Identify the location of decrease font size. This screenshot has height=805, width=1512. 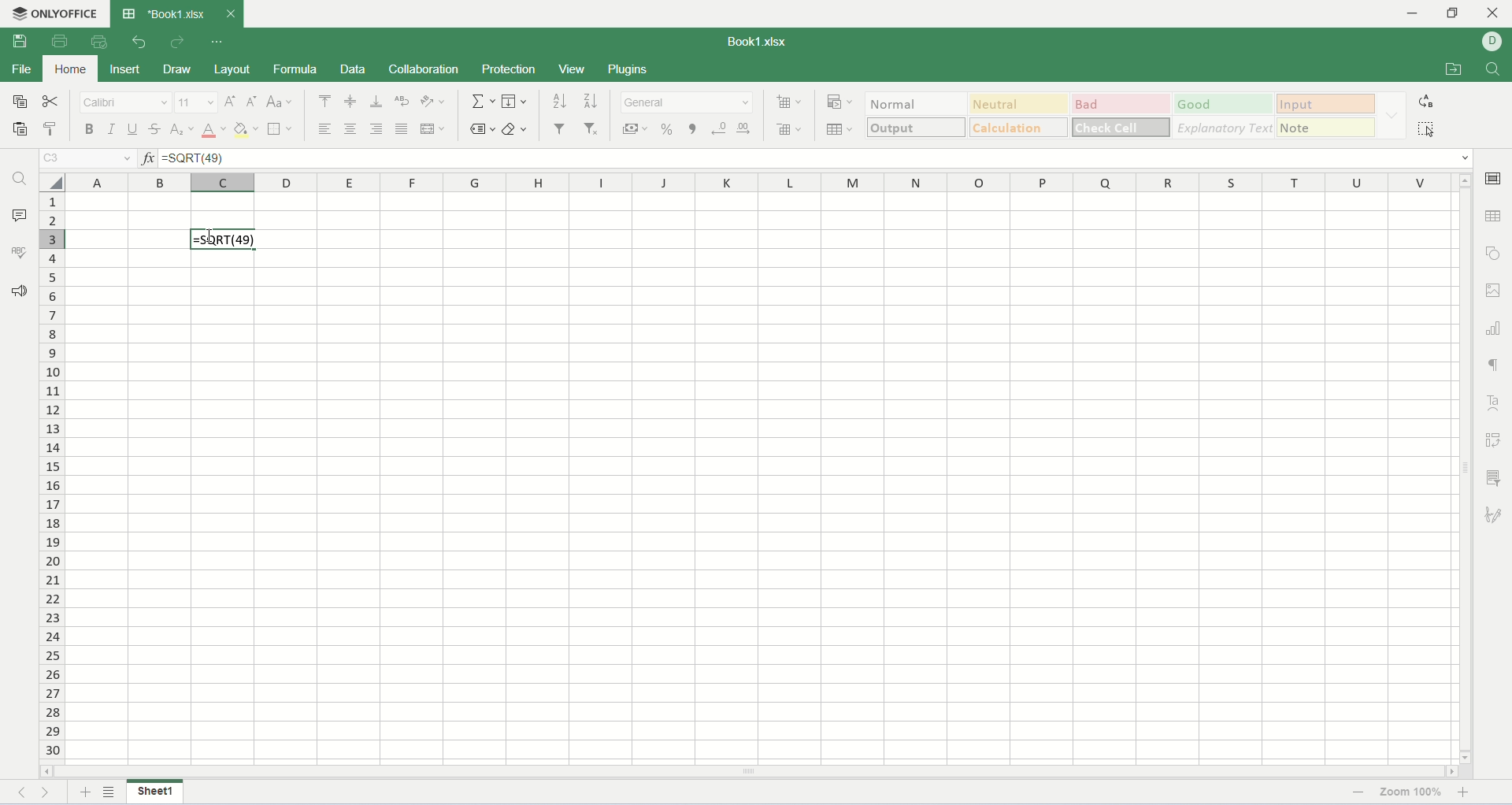
(252, 101).